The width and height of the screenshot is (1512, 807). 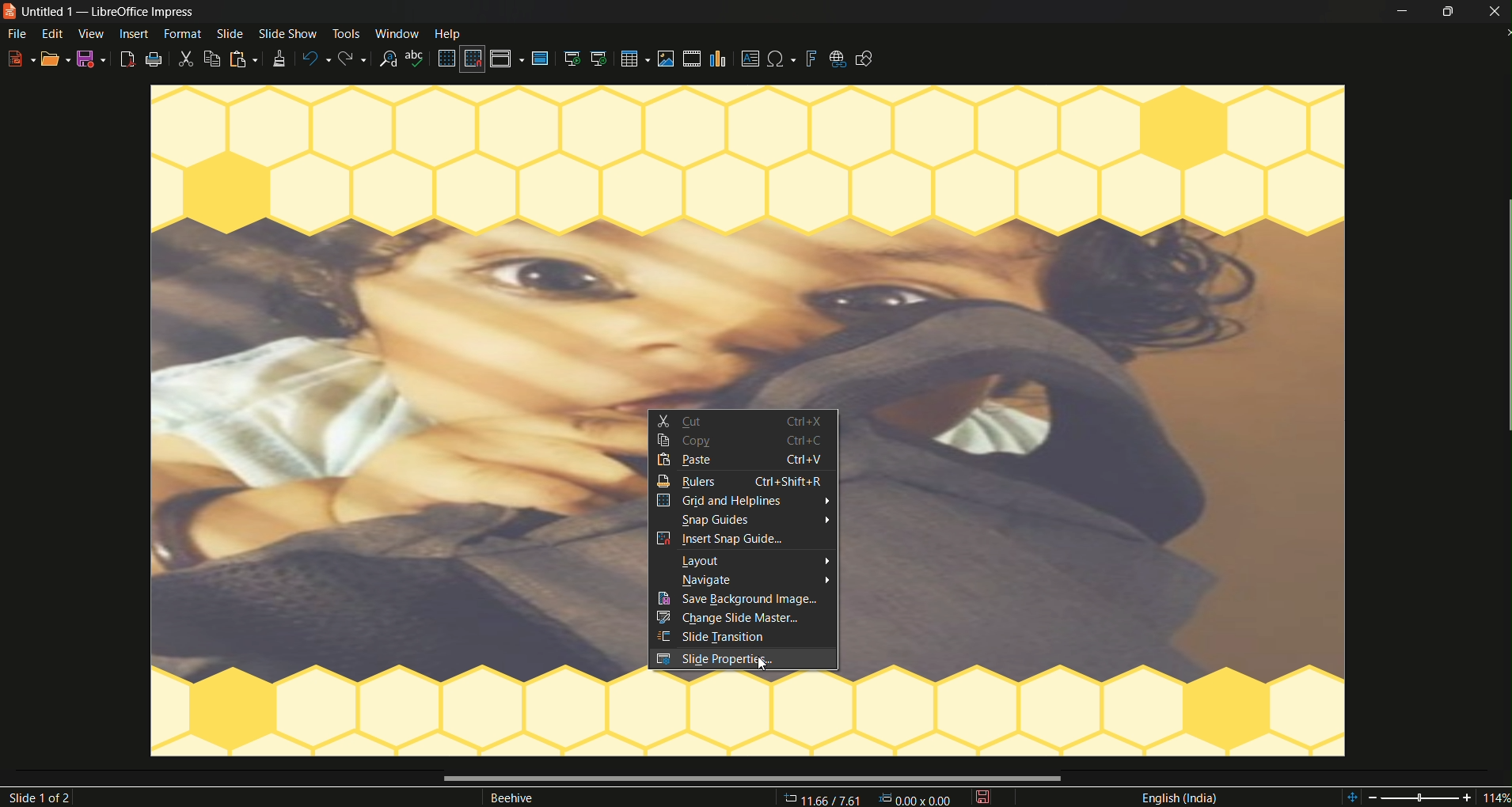 What do you see at coordinates (823, 502) in the screenshot?
I see `arrow` at bounding box center [823, 502].